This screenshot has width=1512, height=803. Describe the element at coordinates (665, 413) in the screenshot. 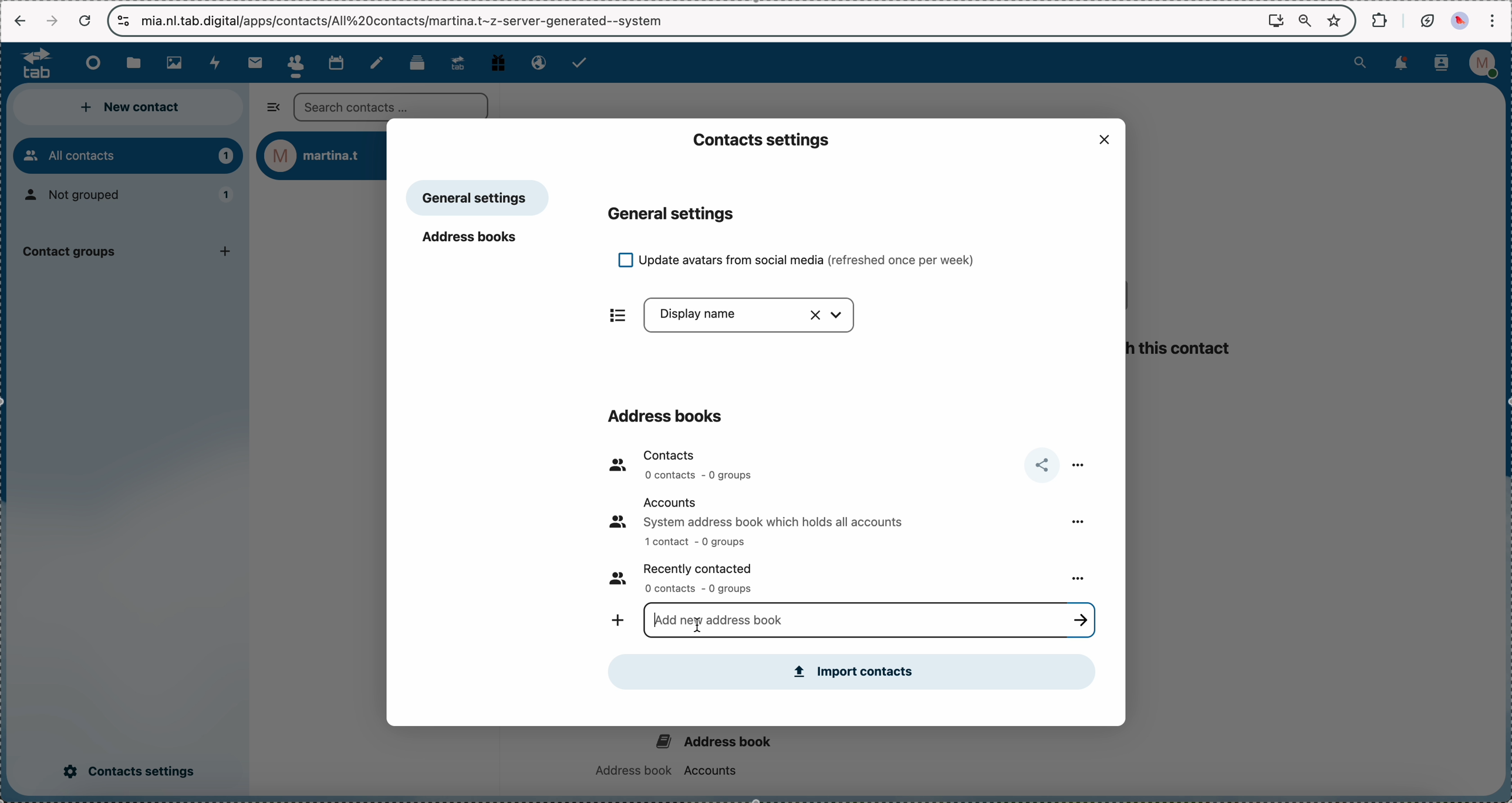

I see `address books` at that location.